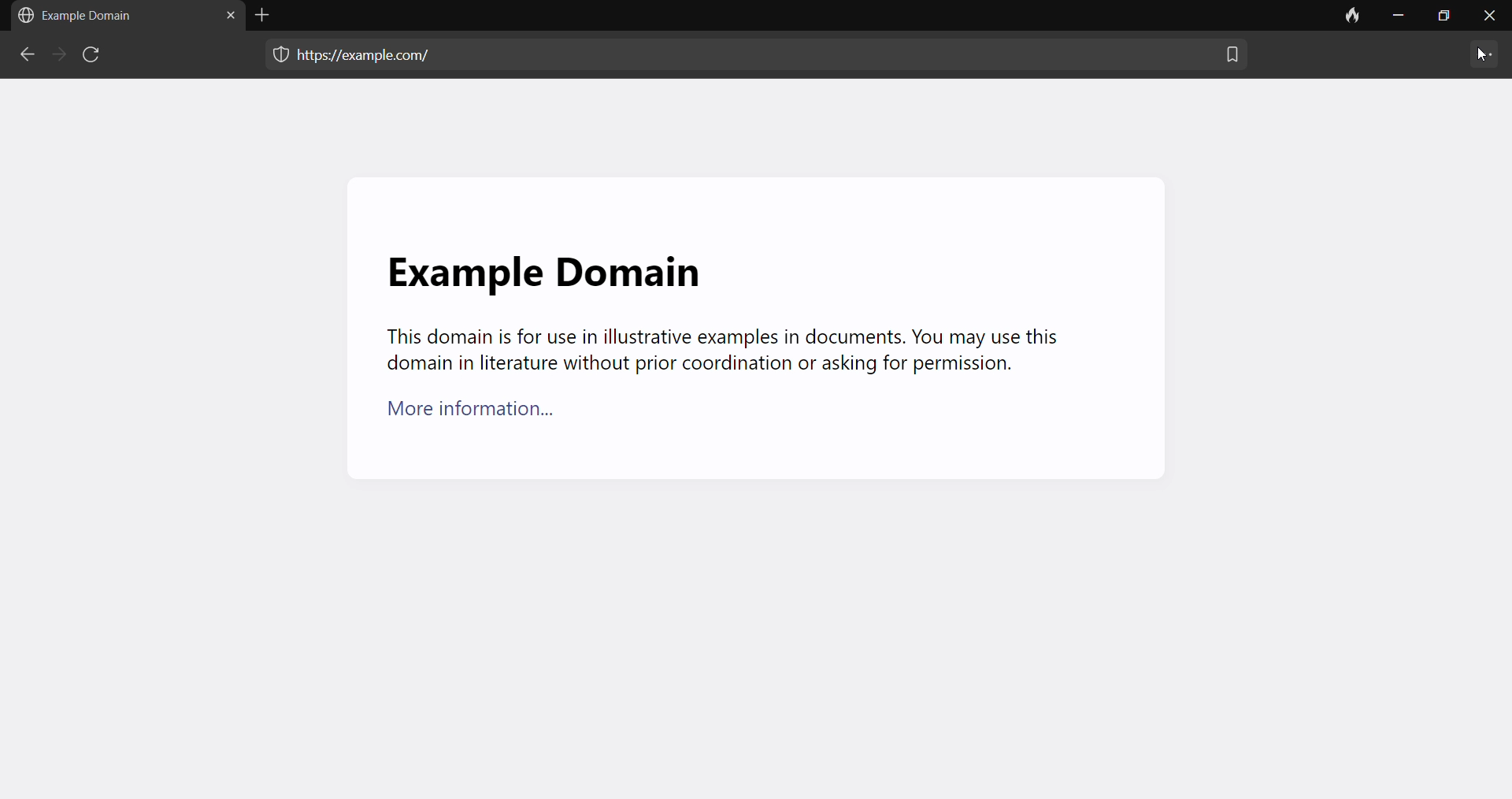 The image size is (1512, 799). What do you see at coordinates (1442, 19) in the screenshot?
I see `maximize` at bounding box center [1442, 19].